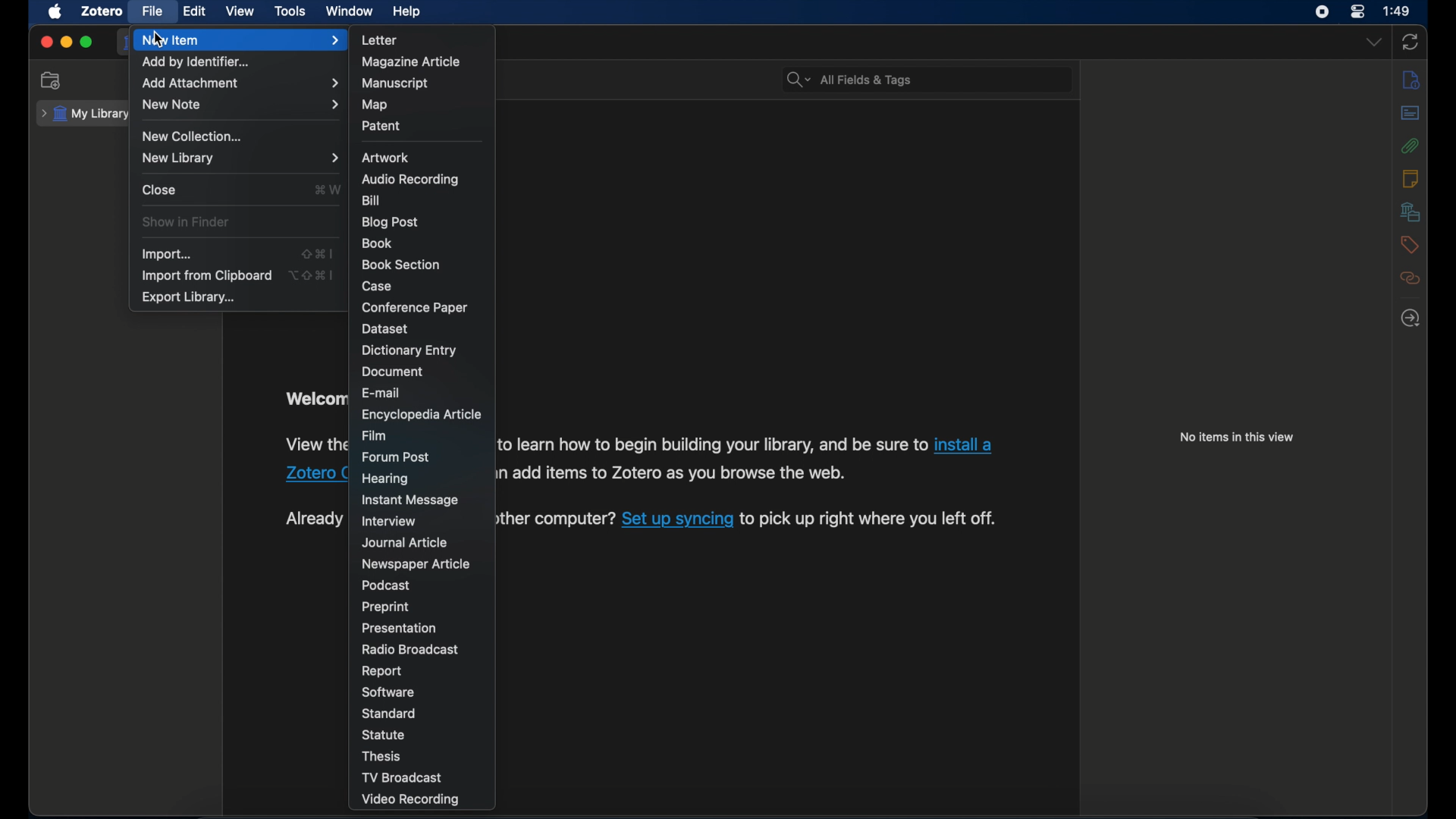 This screenshot has height=819, width=1456. Describe the element at coordinates (393, 372) in the screenshot. I see `document` at that location.